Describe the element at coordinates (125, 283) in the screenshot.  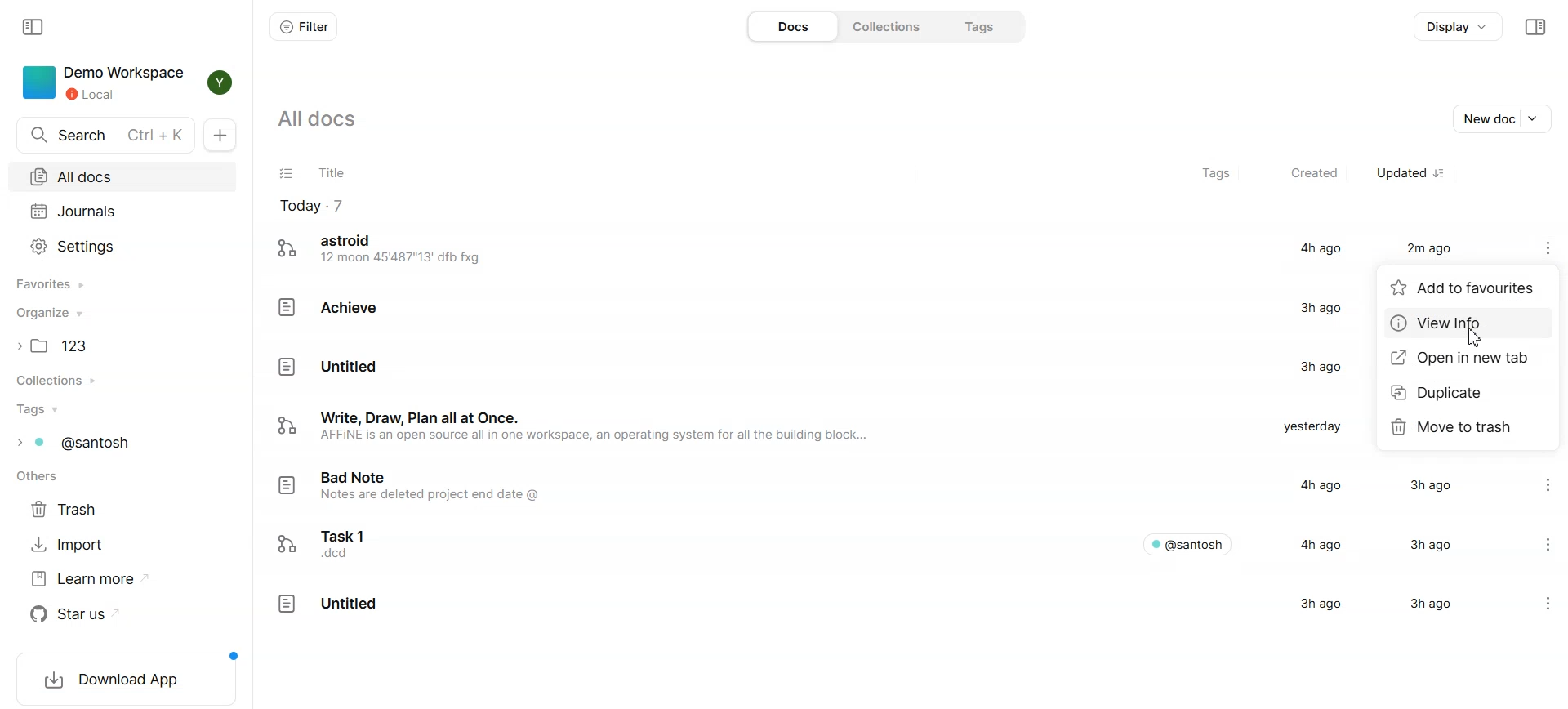
I see `Favorites` at that location.